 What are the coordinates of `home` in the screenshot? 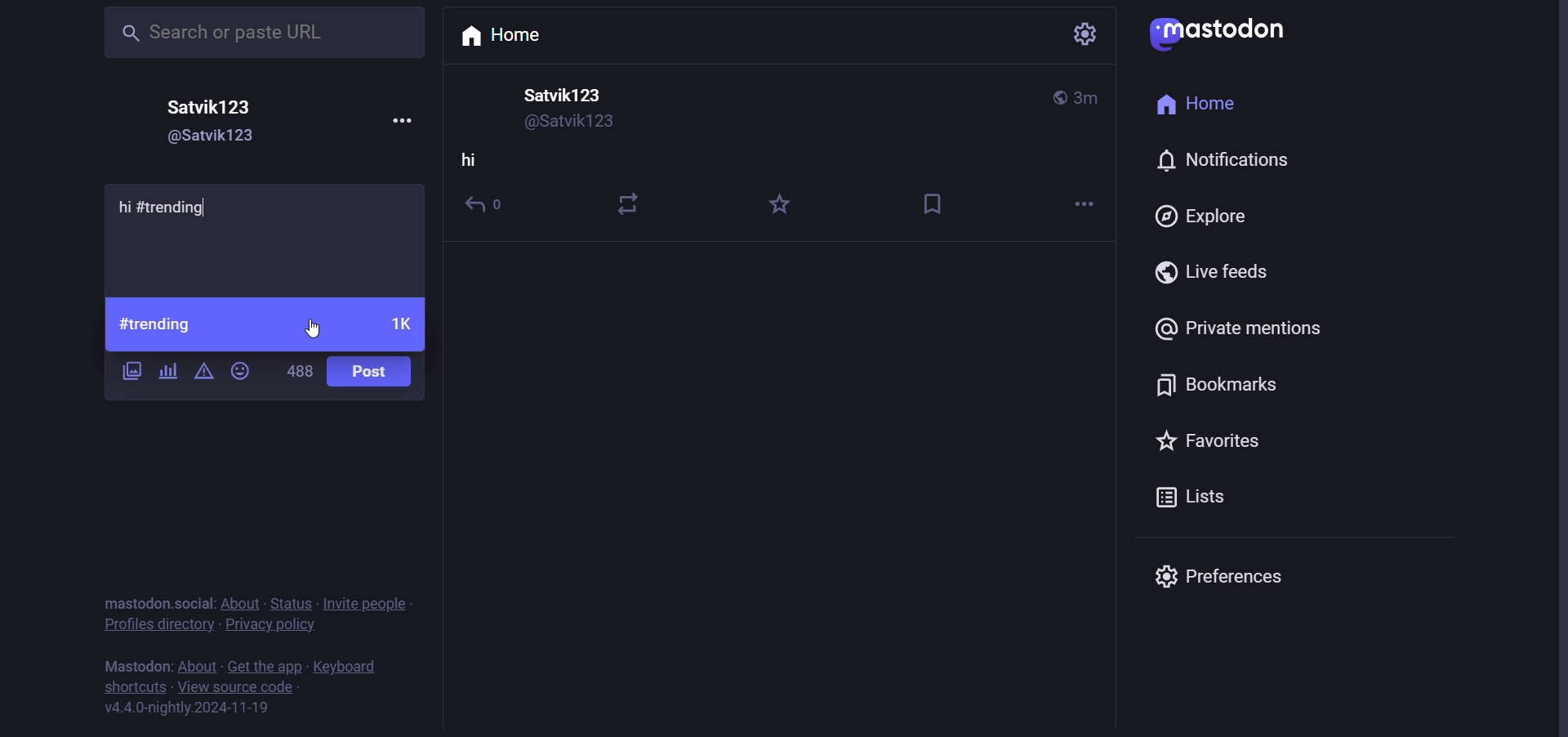 It's located at (1196, 105).